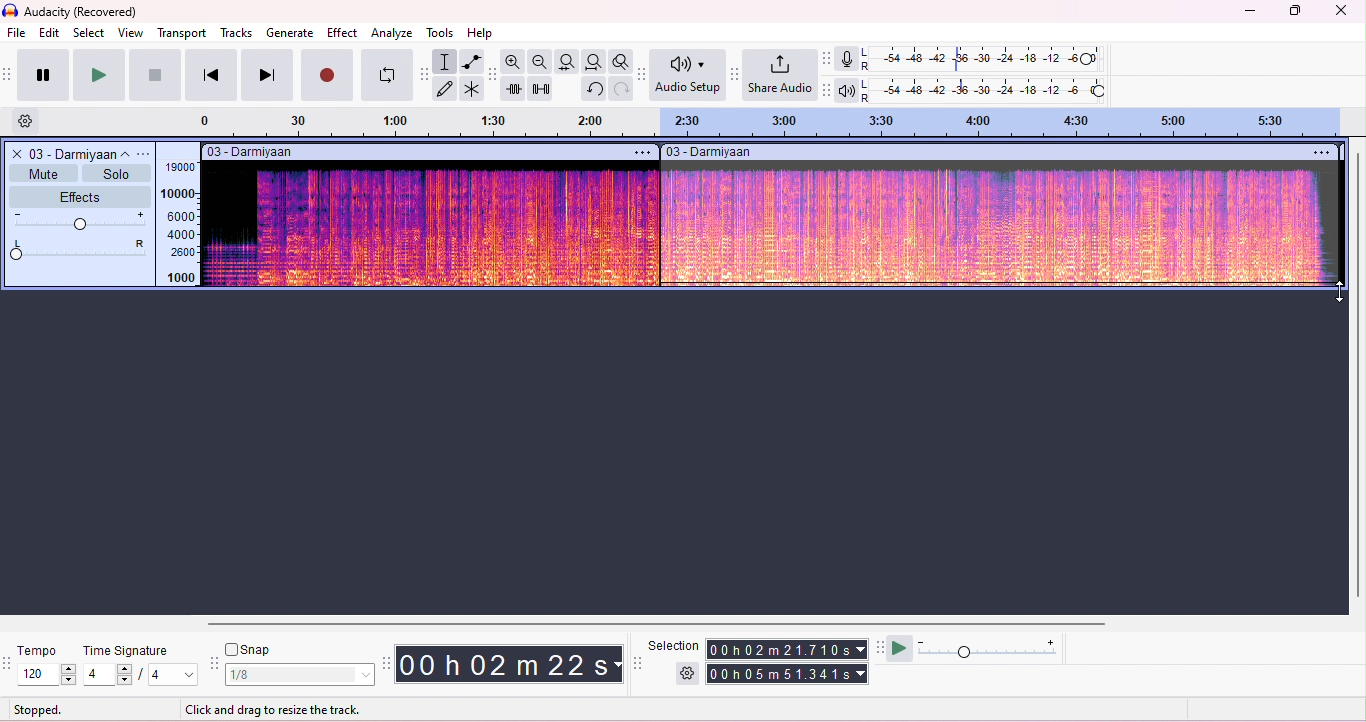 This screenshot has width=1366, height=722. I want to click on silence selection, so click(540, 89).